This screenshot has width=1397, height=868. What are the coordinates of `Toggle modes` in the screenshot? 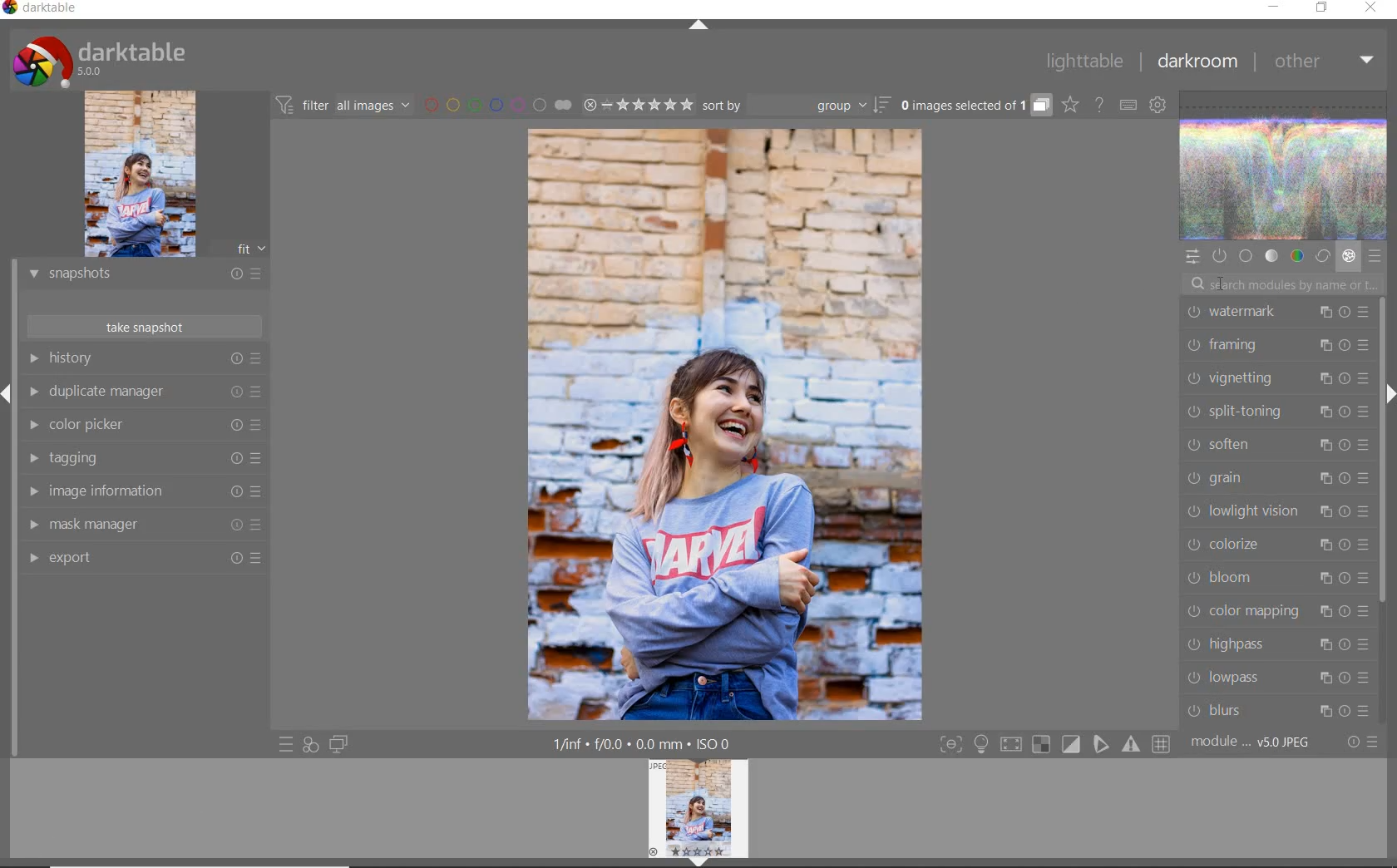 It's located at (1054, 745).